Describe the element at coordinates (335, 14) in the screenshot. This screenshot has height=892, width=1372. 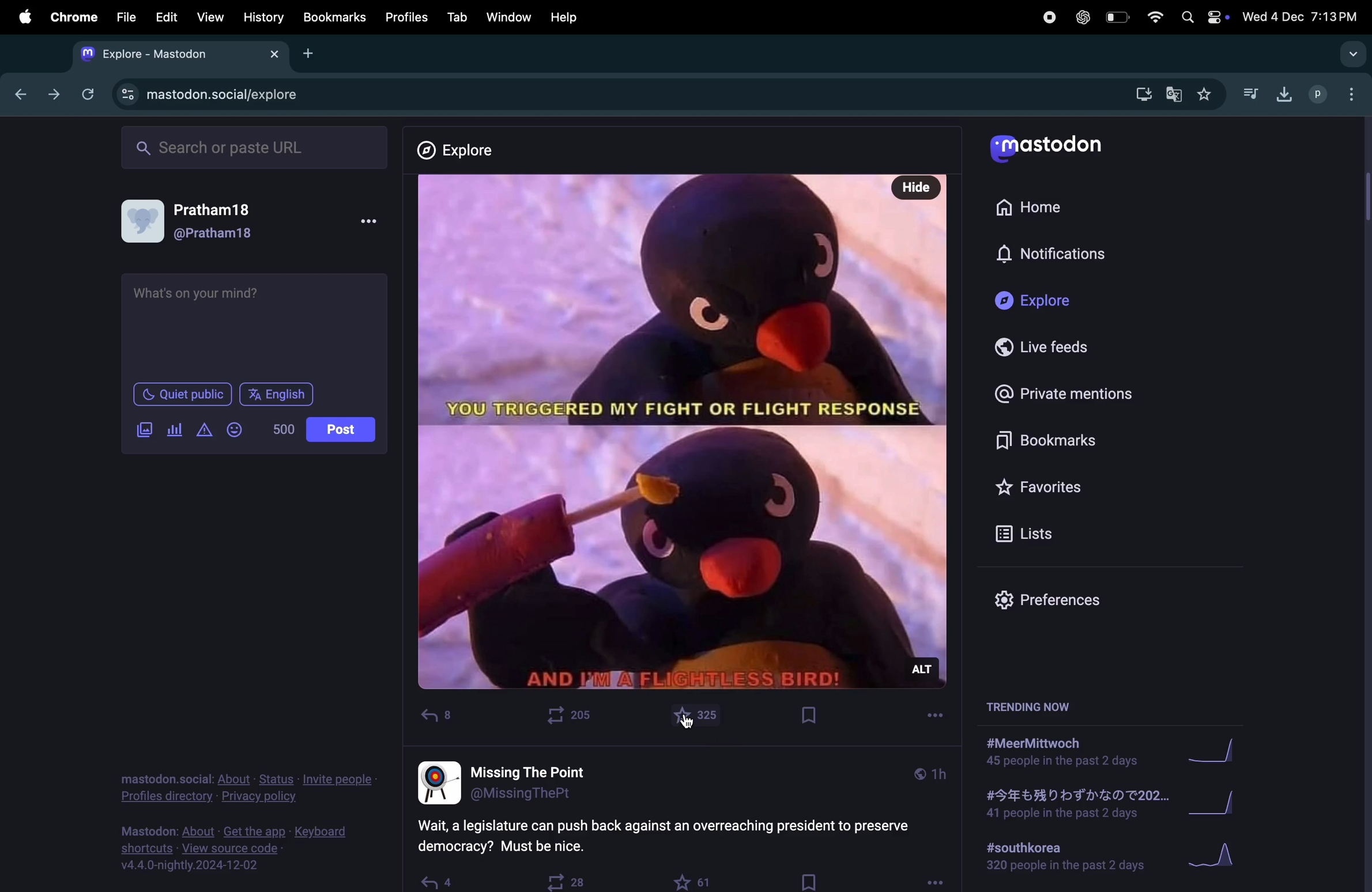
I see `Book marks` at that location.